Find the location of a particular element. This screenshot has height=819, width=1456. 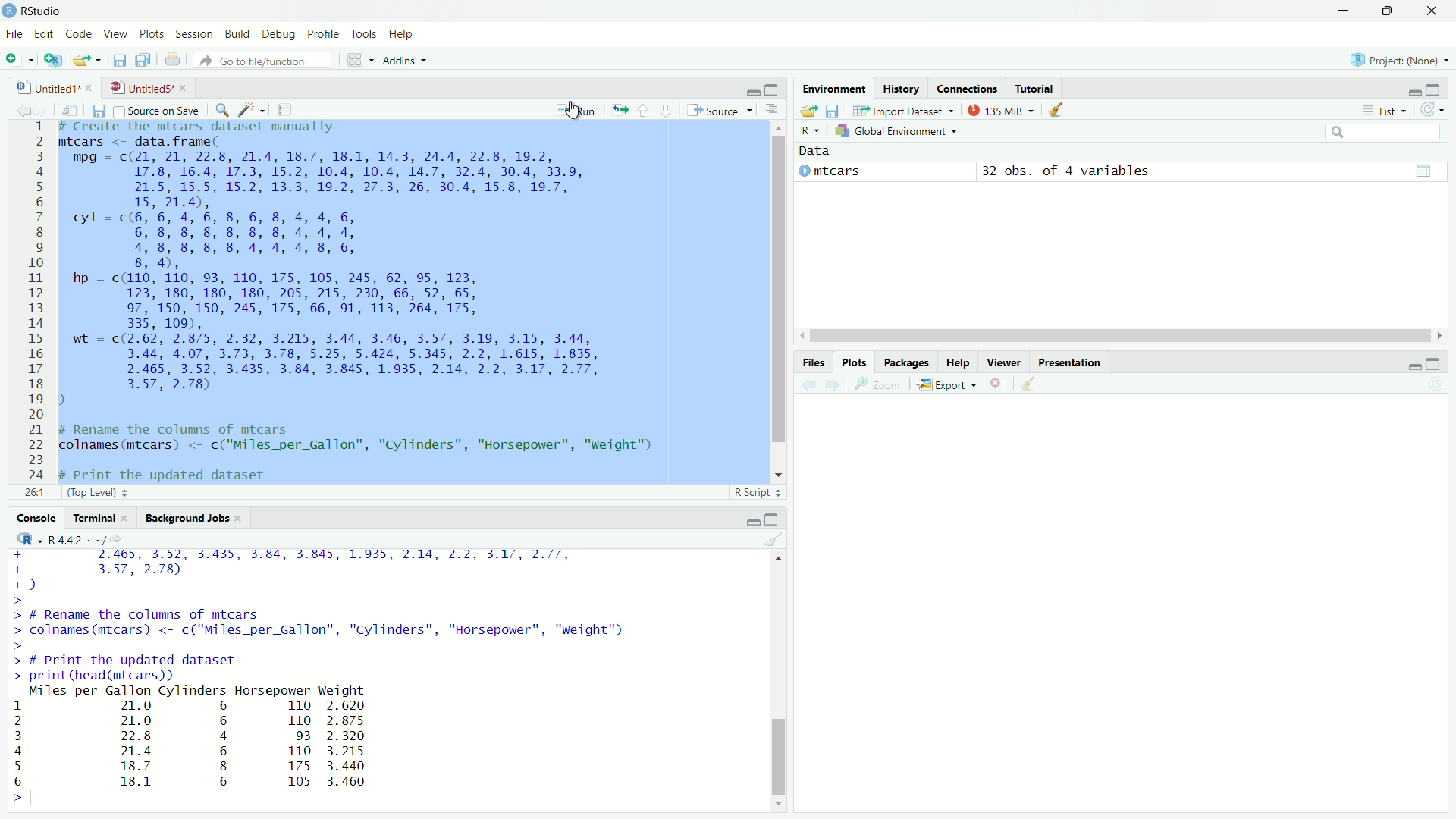

Session is located at coordinates (194, 33).